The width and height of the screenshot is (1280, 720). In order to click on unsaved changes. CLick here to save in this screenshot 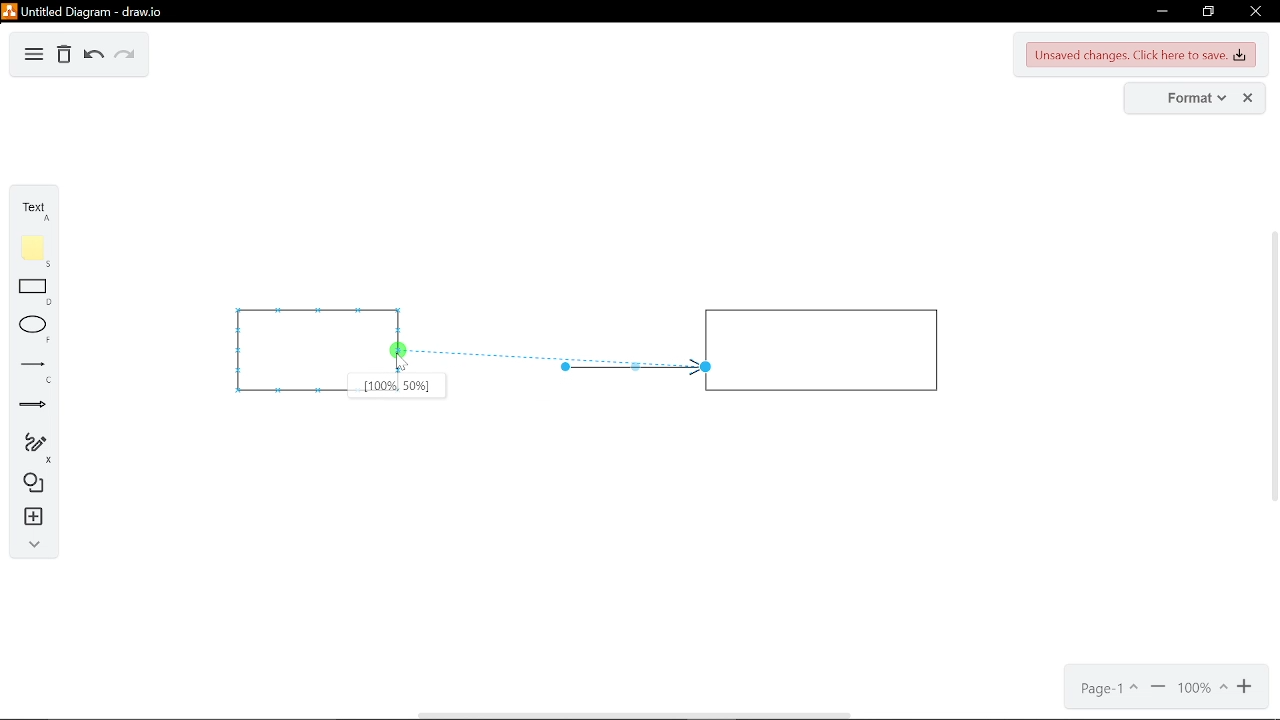, I will do `click(1138, 55)`.